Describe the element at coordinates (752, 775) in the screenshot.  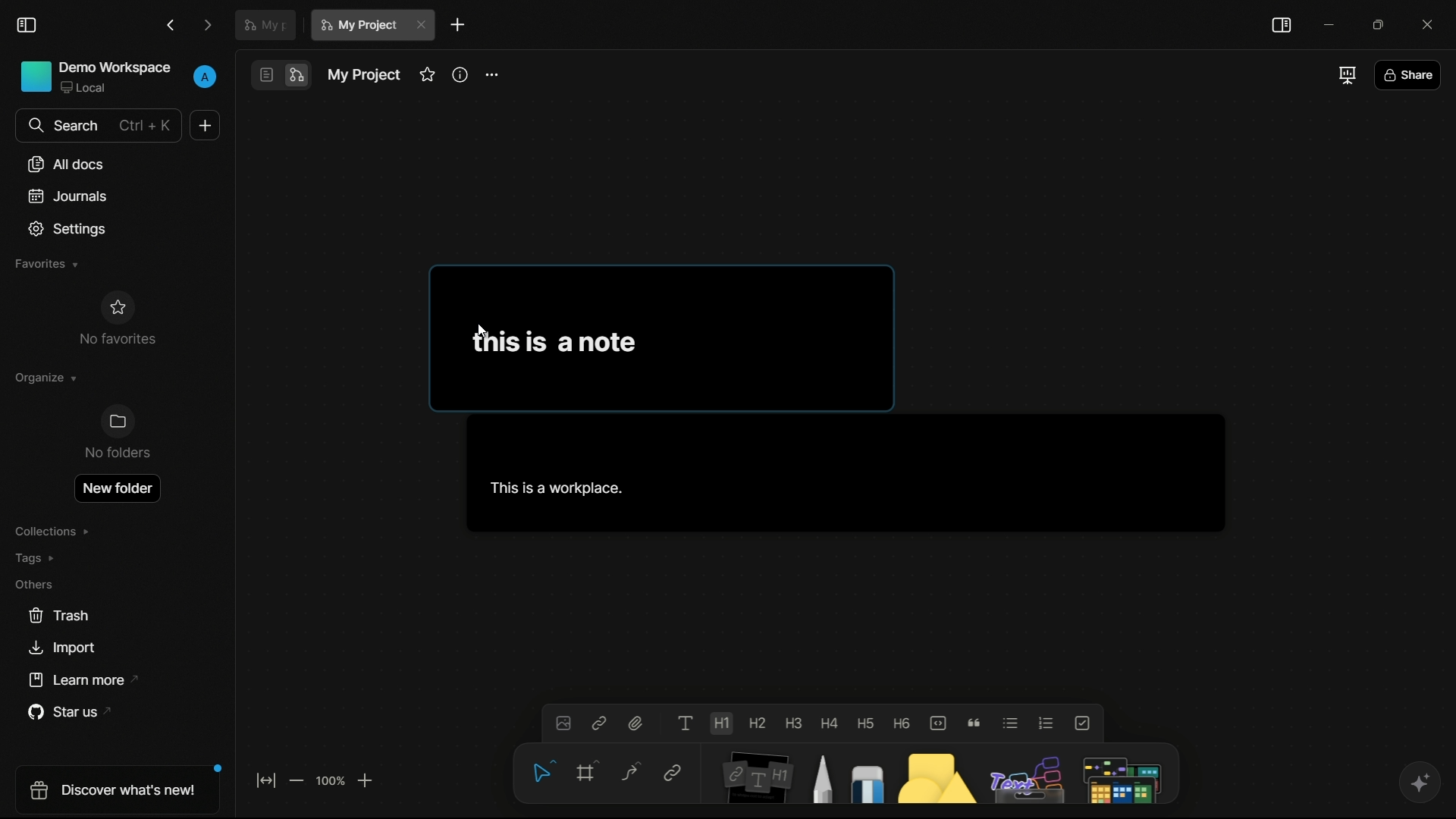
I see `note` at that location.